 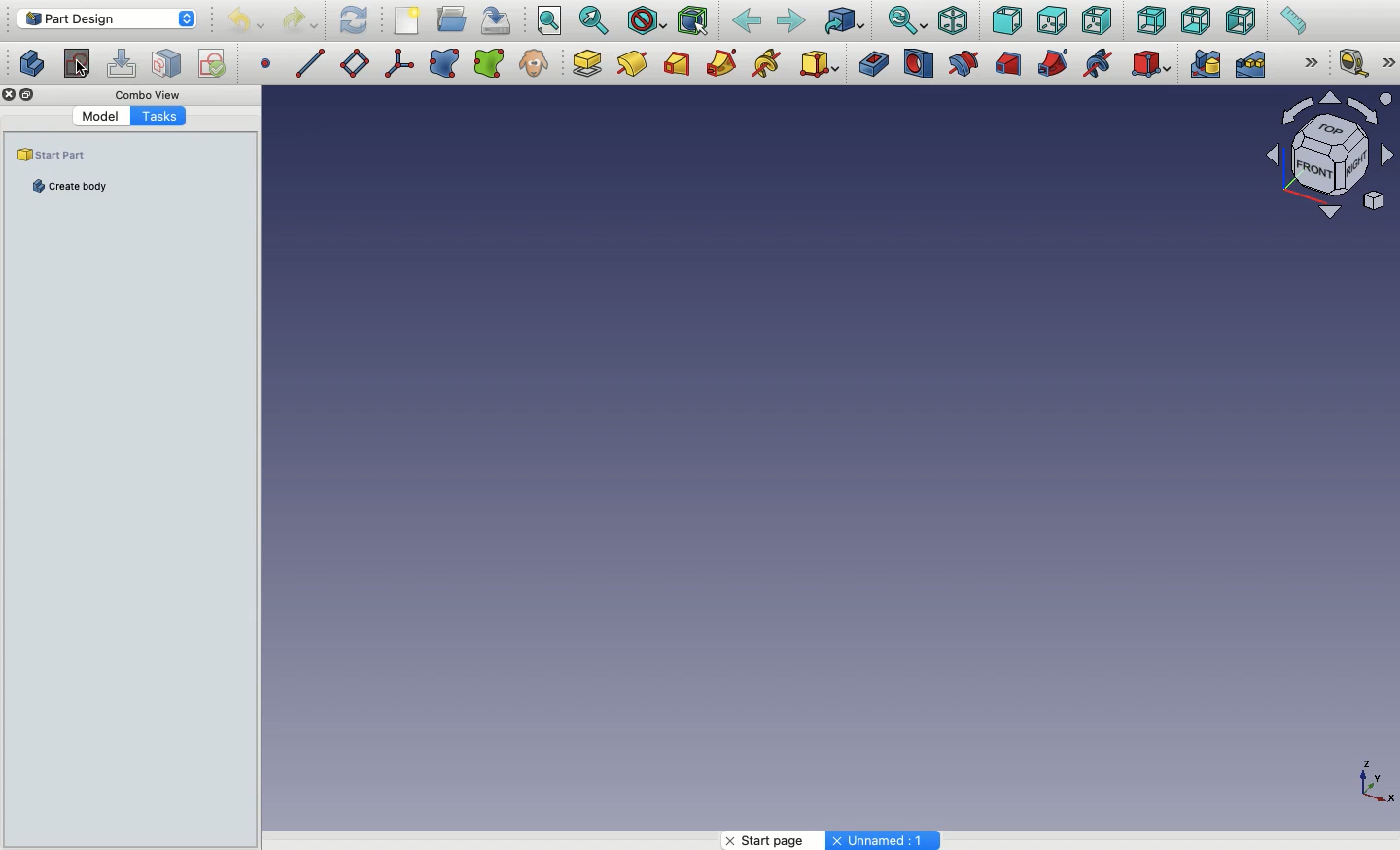 I want to click on Subtractive loft, so click(x=1010, y=66).